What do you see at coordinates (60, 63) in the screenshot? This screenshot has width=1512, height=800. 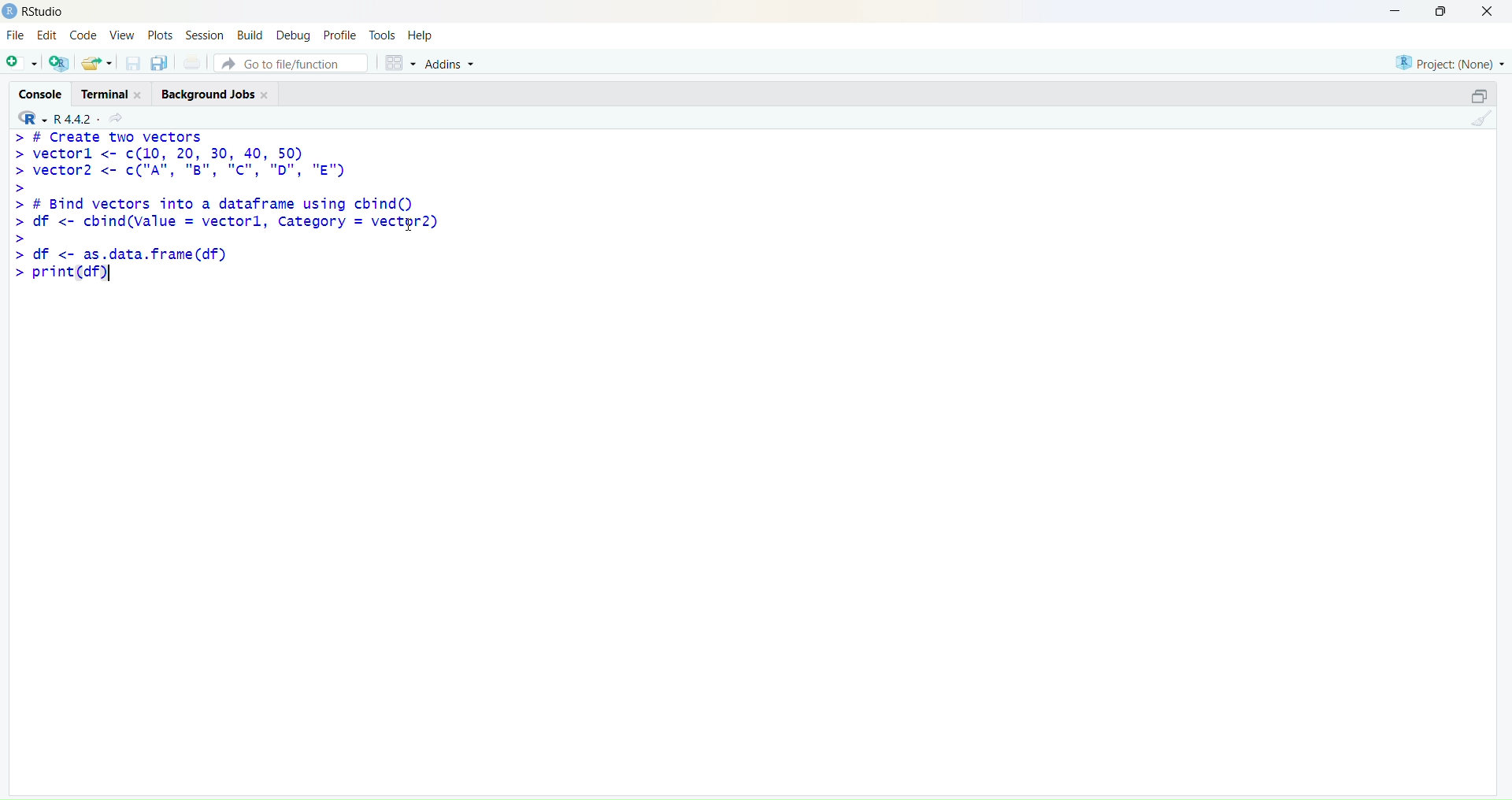 I see `Create project` at bounding box center [60, 63].